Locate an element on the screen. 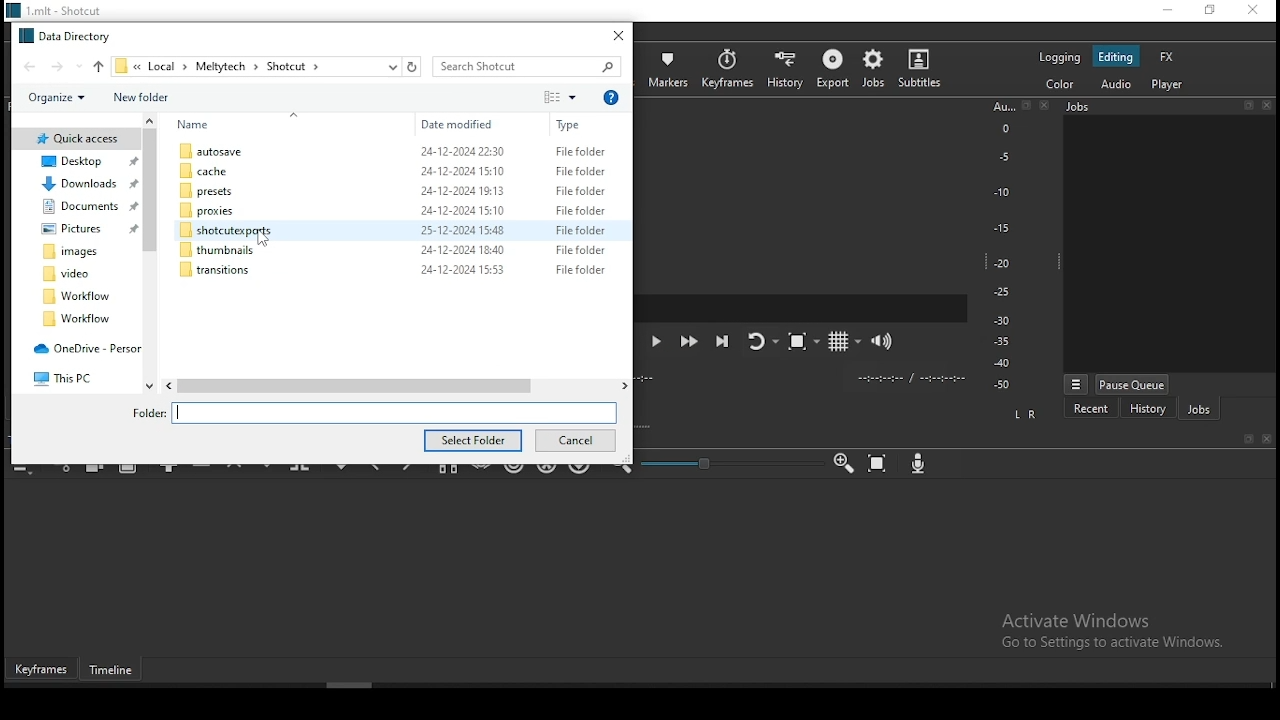 The height and width of the screenshot is (720, 1280). fx is located at coordinates (1167, 56).